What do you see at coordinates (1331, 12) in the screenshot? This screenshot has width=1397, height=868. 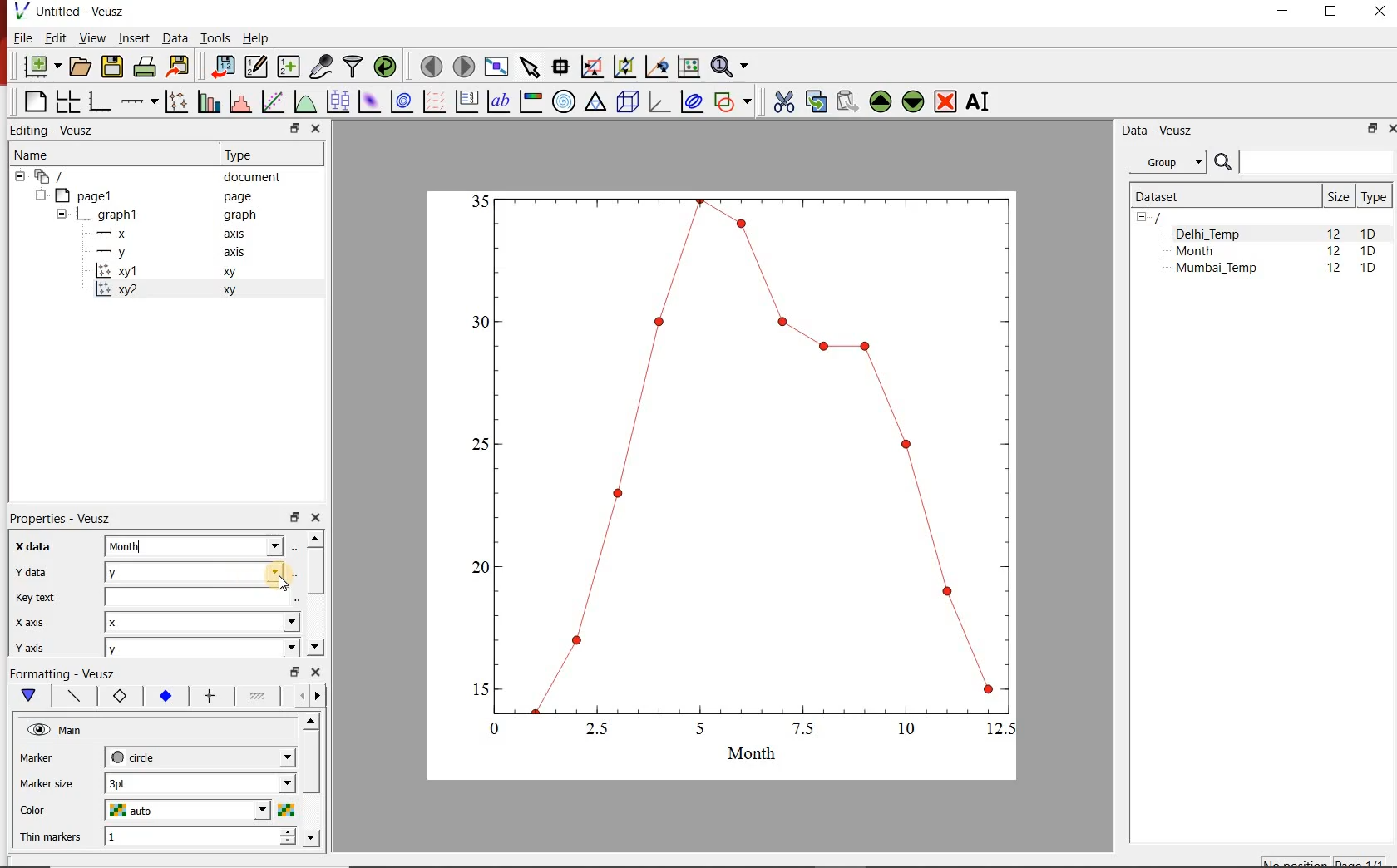 I see `RESTORE` at bounding box center [1331, 12].